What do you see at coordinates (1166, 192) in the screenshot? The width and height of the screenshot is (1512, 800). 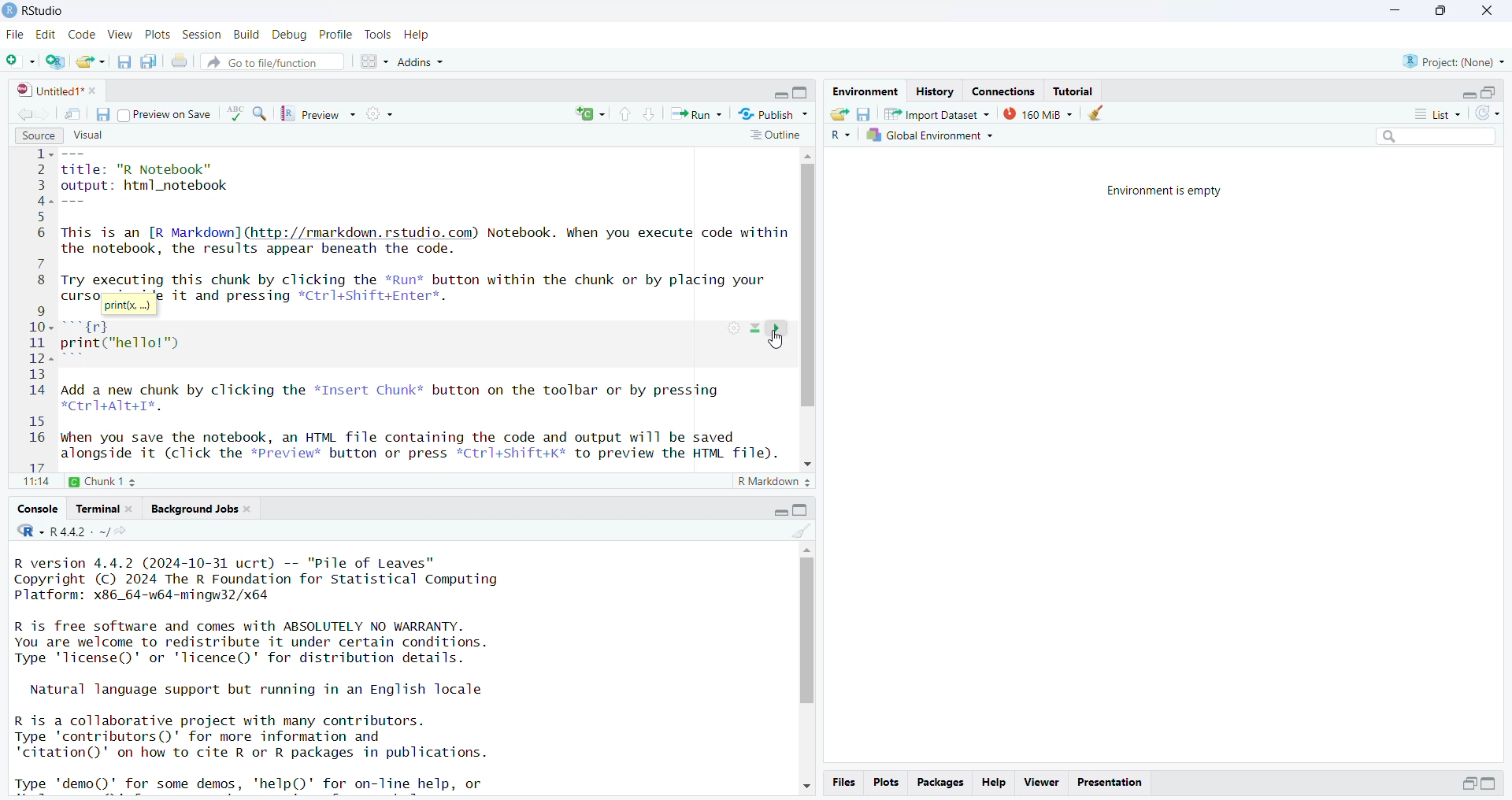 I see `Environment is empty` at bounding box center [1166, 192].